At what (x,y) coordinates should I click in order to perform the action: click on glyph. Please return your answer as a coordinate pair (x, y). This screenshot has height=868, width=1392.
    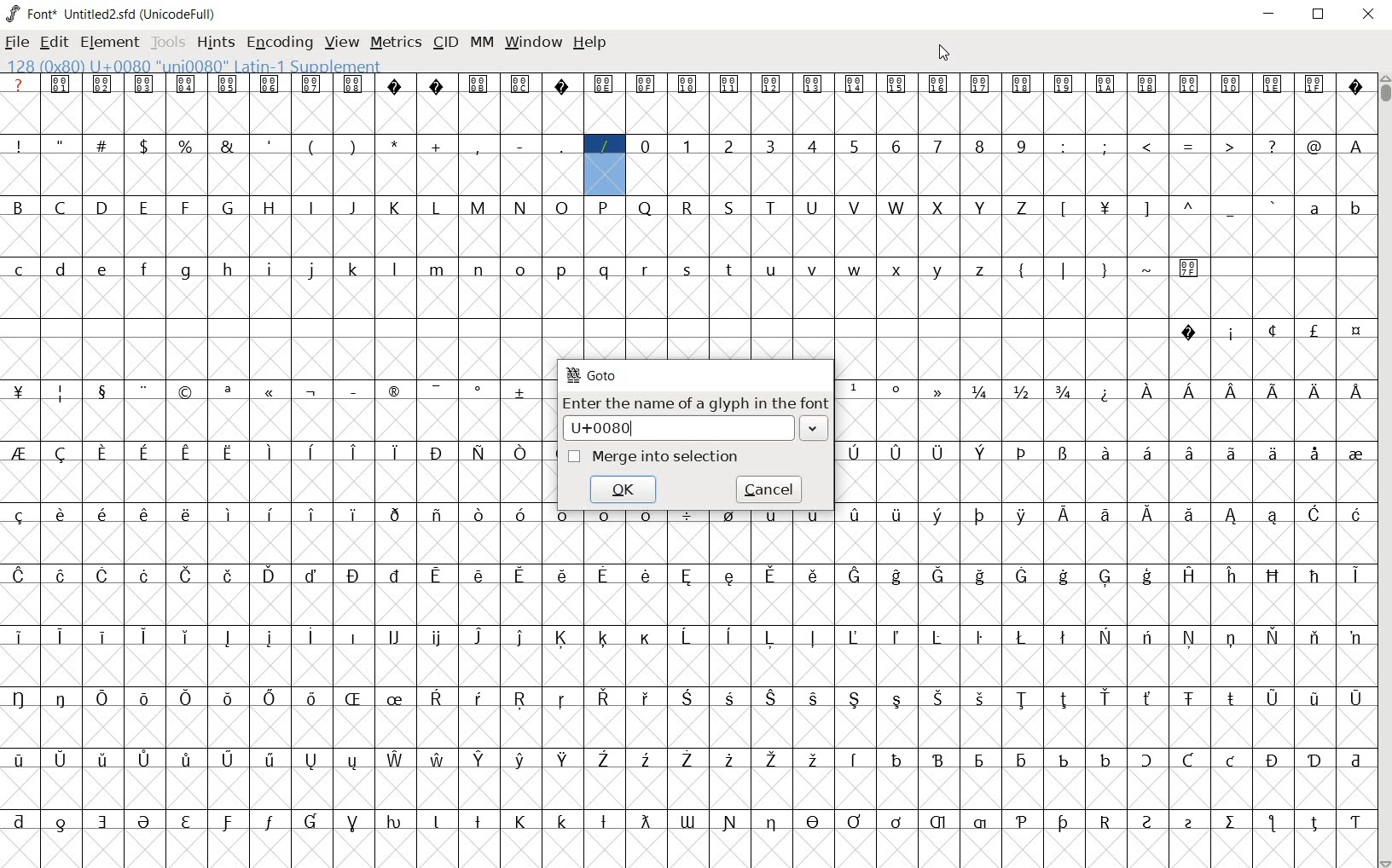
    Looking at the image, I should click on (352, 698).